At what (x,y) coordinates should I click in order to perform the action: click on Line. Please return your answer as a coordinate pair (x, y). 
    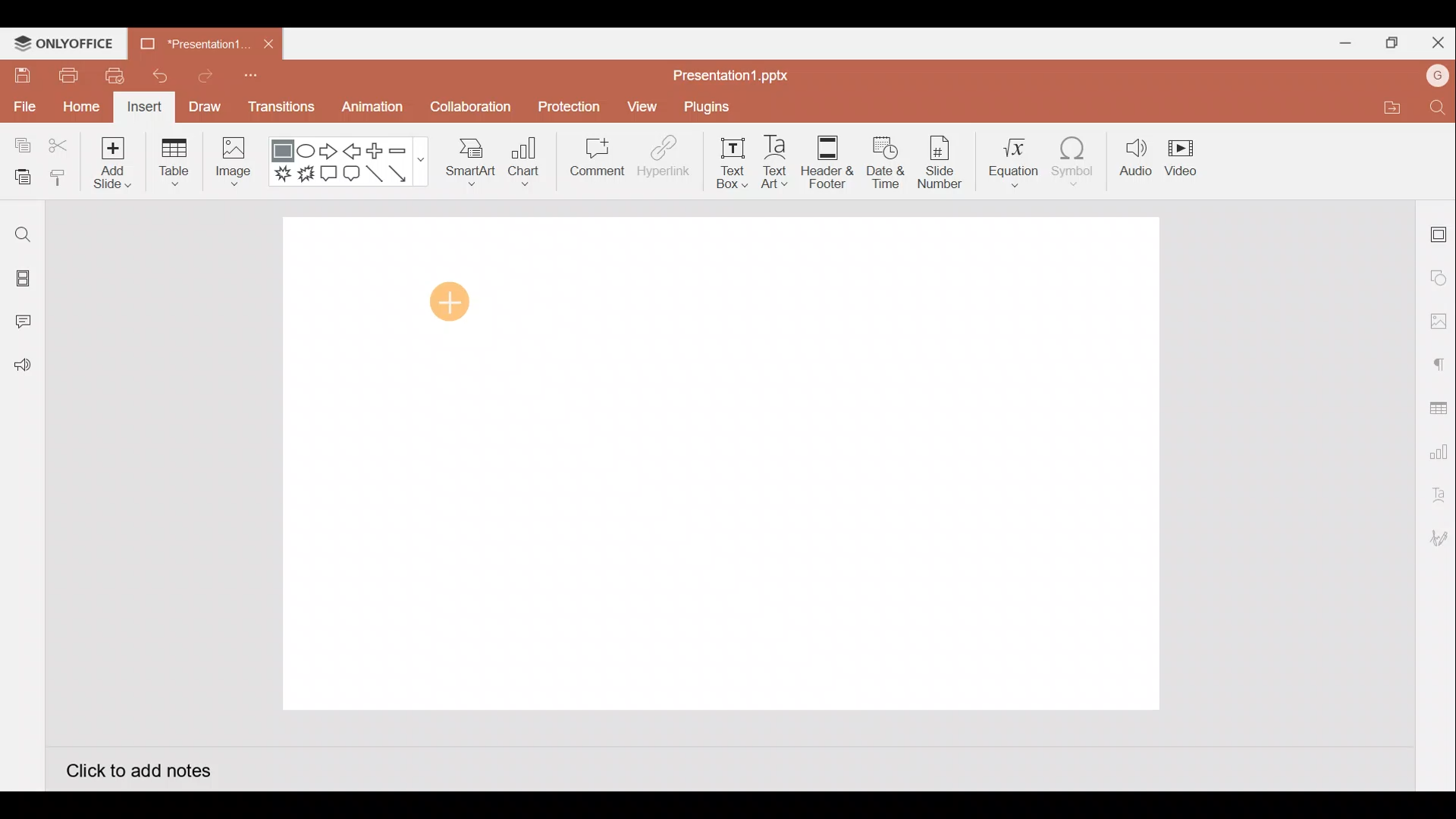
    Looking at the image, I should click on (375, 174).